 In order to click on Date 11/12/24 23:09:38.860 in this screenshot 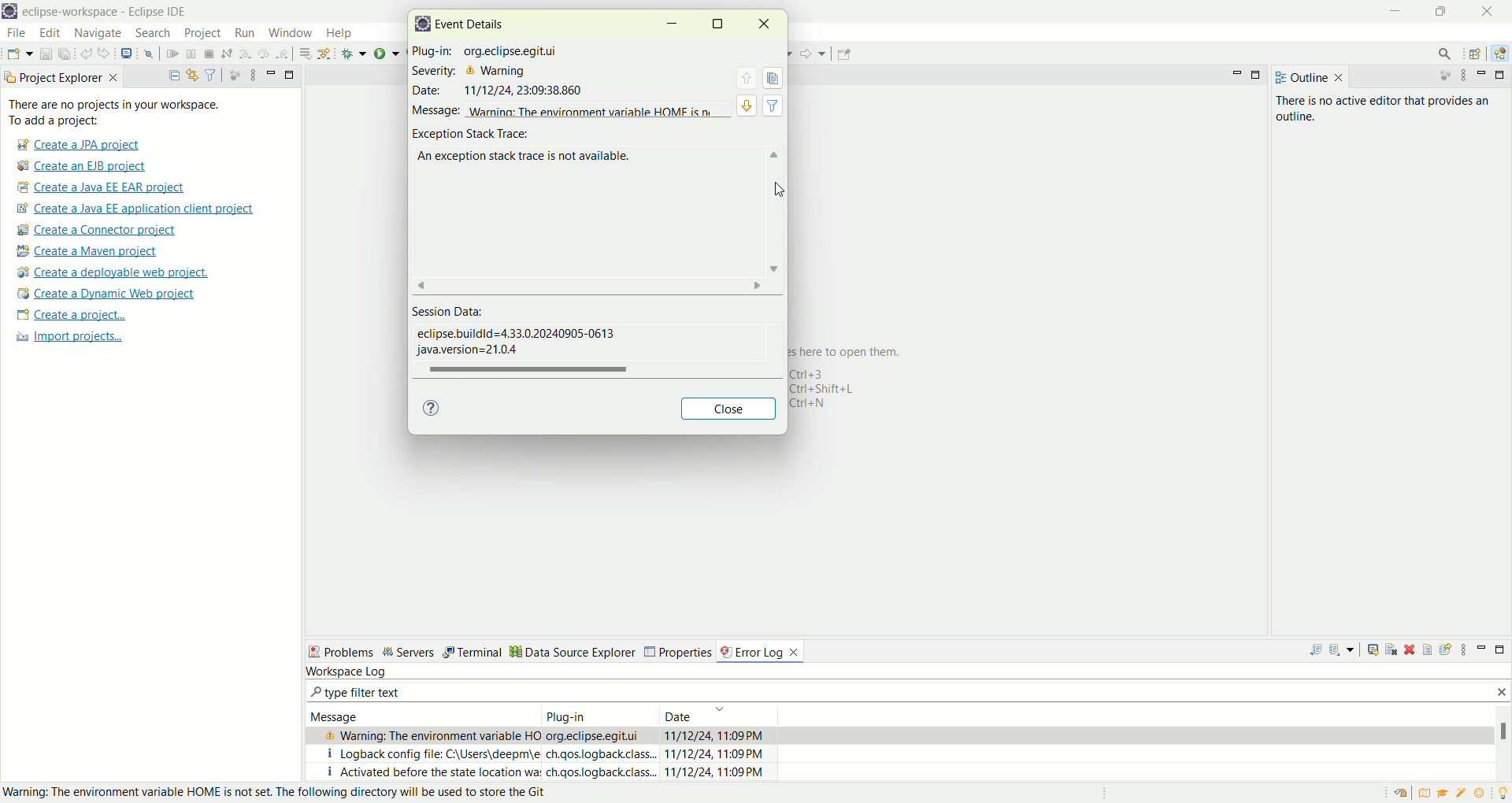, I will do `click(505, 93)`.